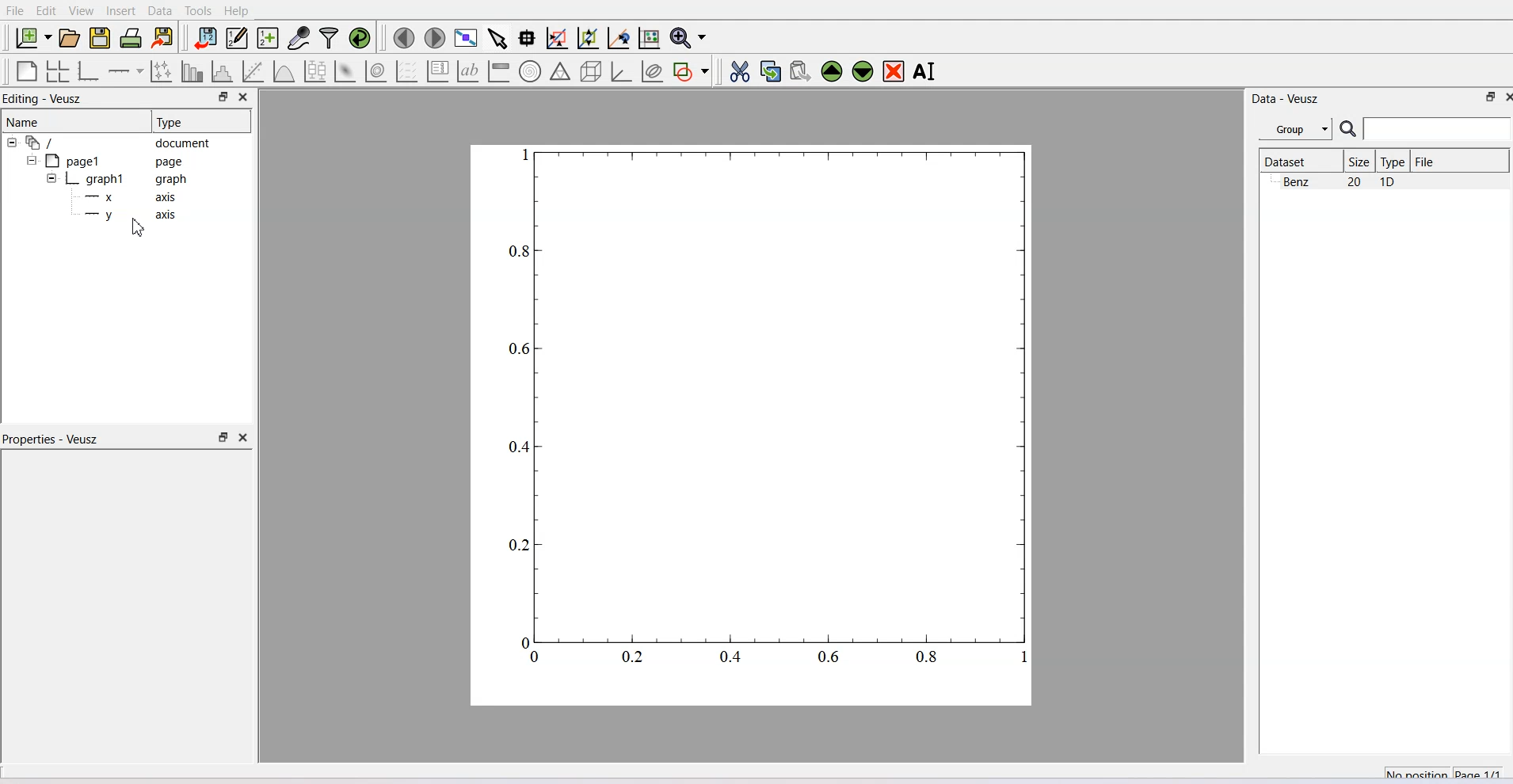 This screenshot has height=784, width=1513. What do you see at coordinates (69, 37) in the screenshot?
I see `Open a document` at bounding box center [69, 37].